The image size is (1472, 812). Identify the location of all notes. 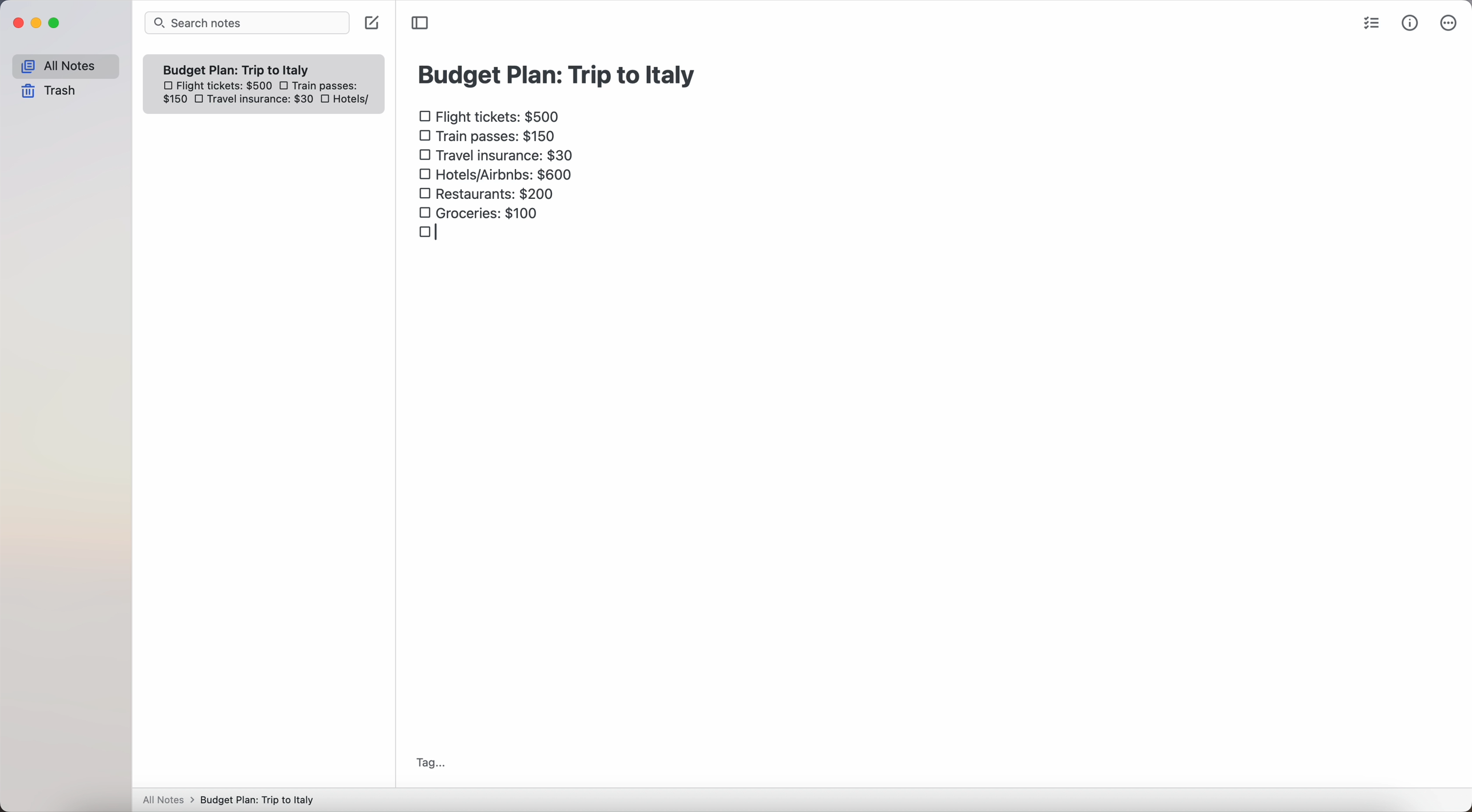
(65, 66).